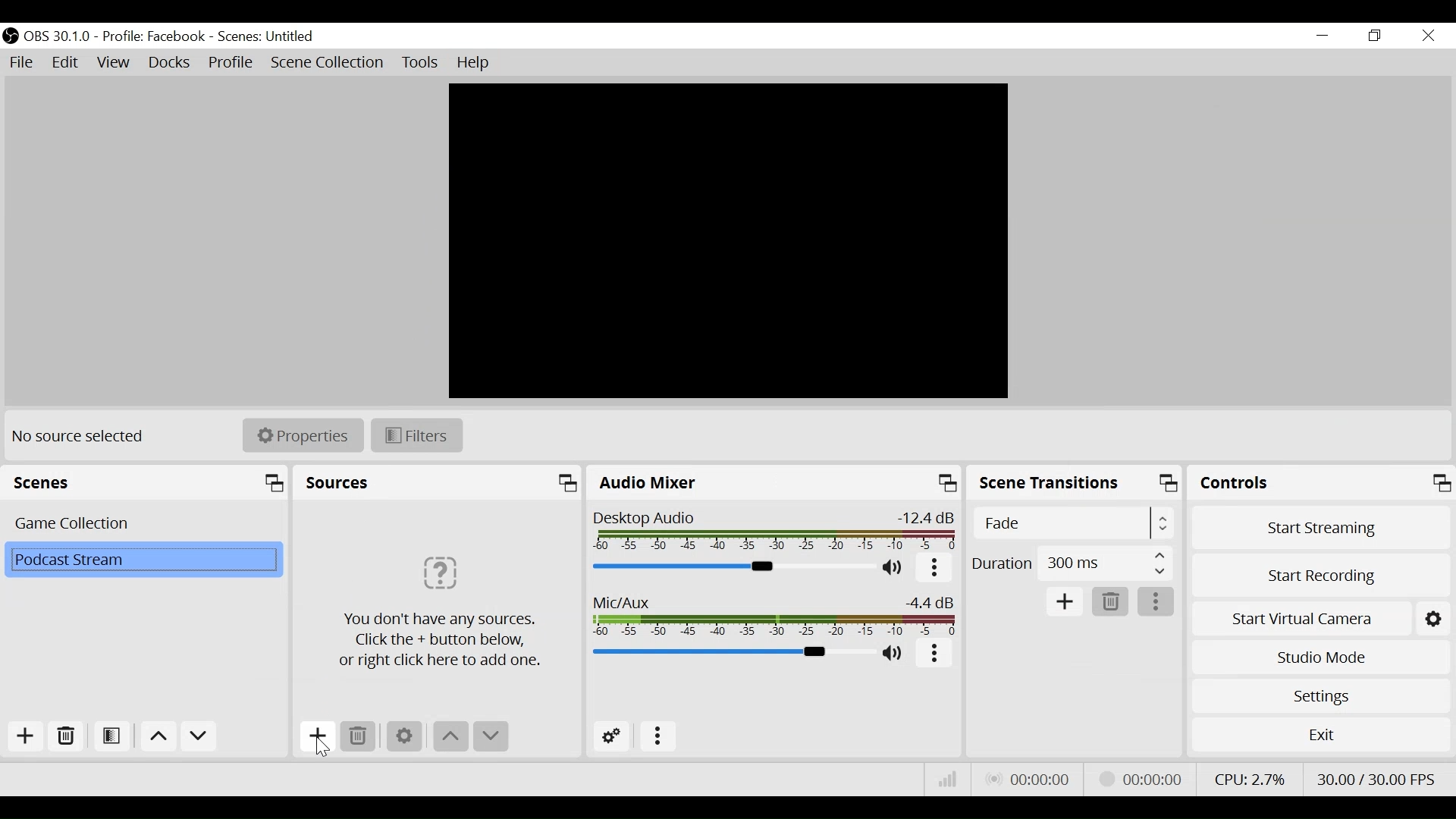  Describe the element at coordinates (453, 737) in the screenshot. I see `move up` at that location.